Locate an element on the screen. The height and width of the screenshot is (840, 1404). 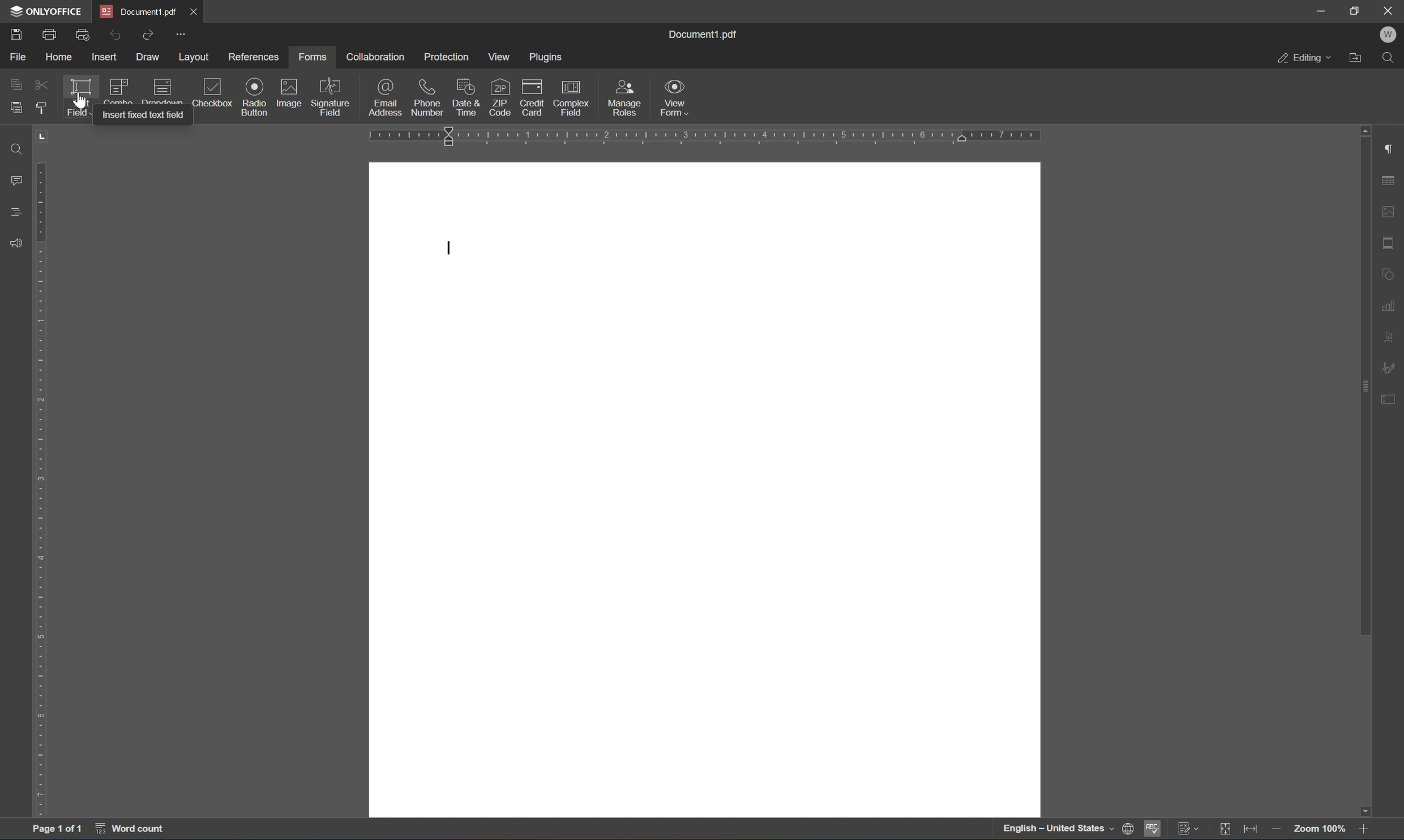
image settings is located at coordinates (1390, 210).